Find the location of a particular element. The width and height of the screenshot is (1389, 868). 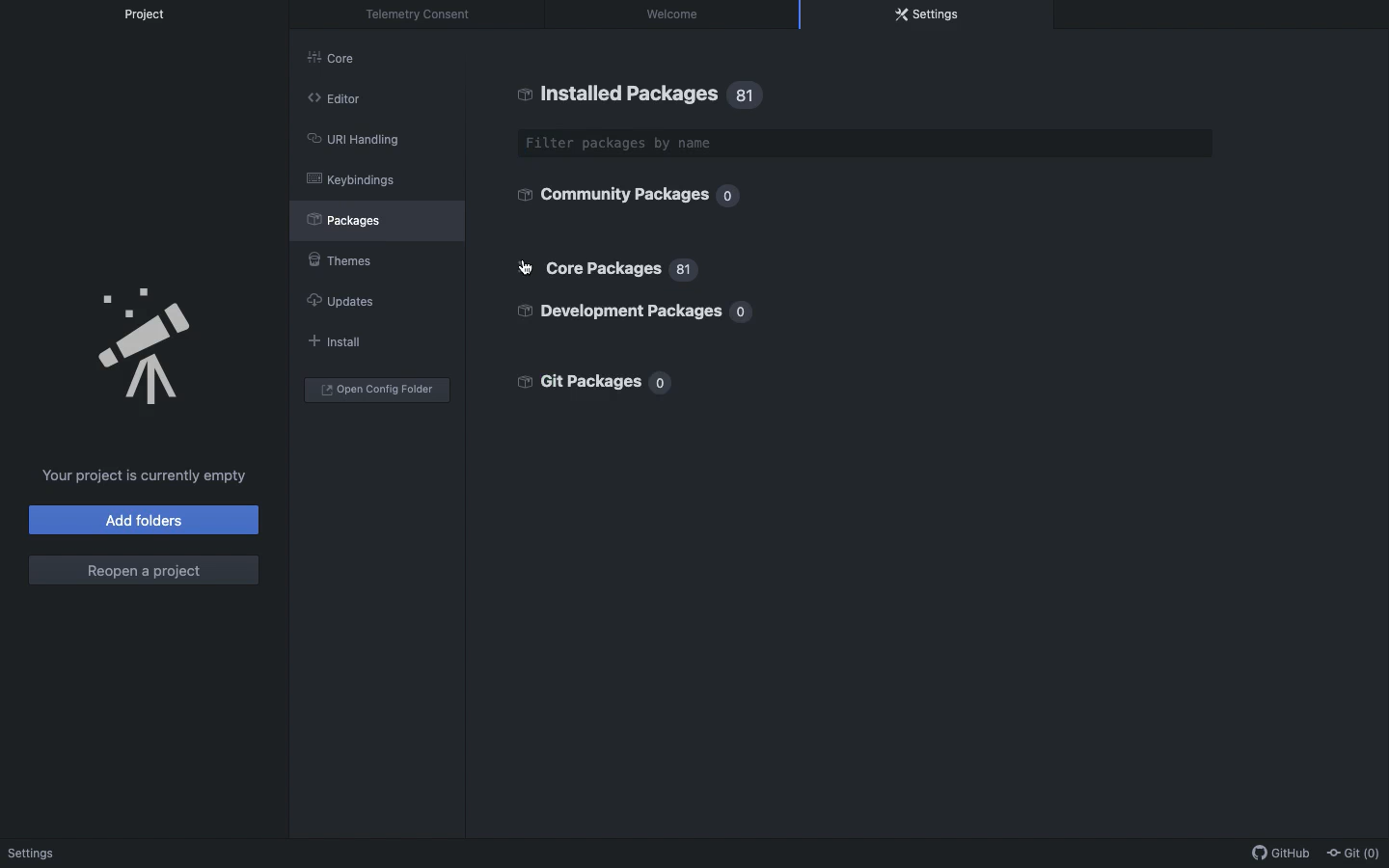

0 is located at coordinates (746, 313).